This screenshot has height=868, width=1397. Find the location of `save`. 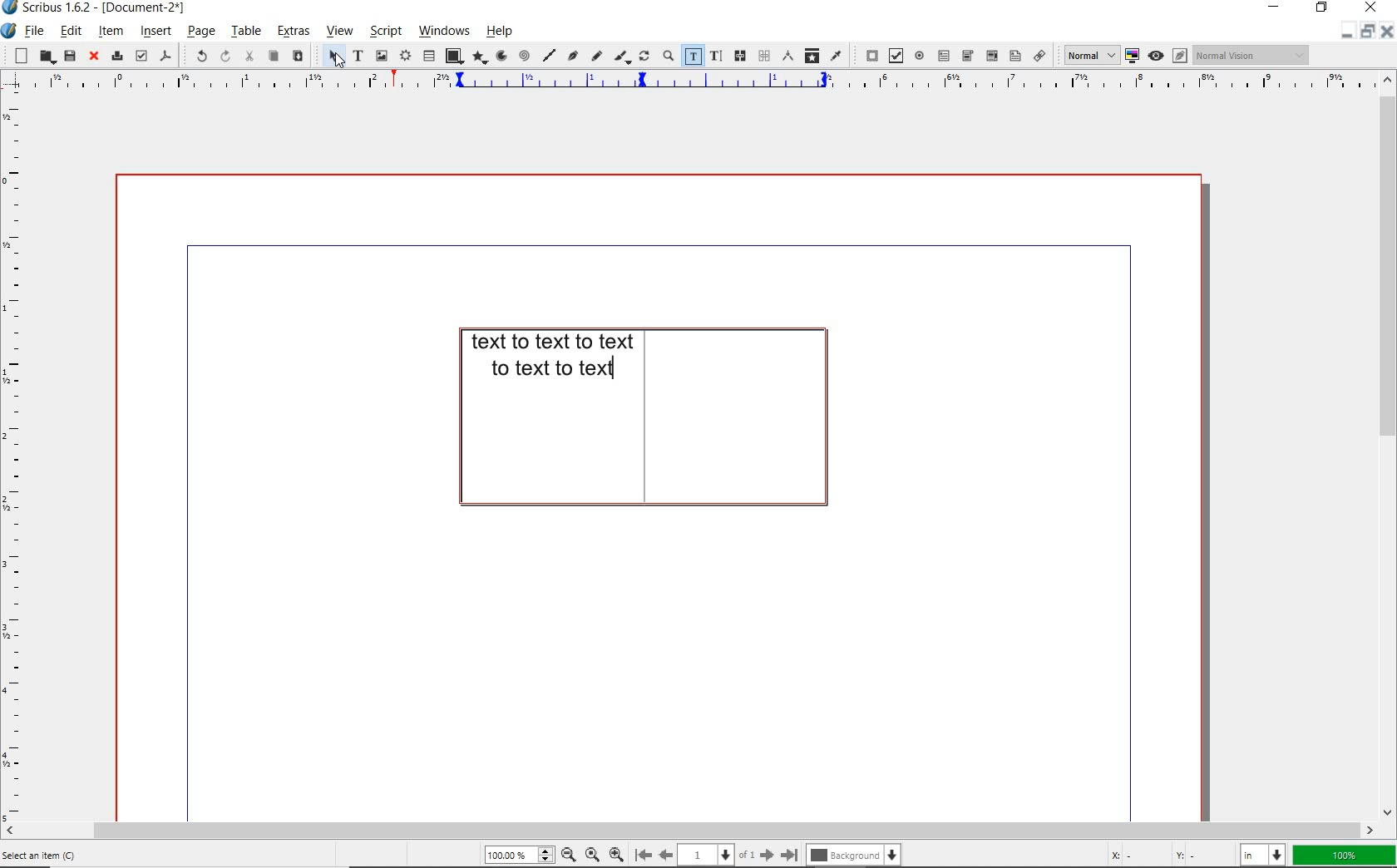

save is located at coordinates (68, 57).